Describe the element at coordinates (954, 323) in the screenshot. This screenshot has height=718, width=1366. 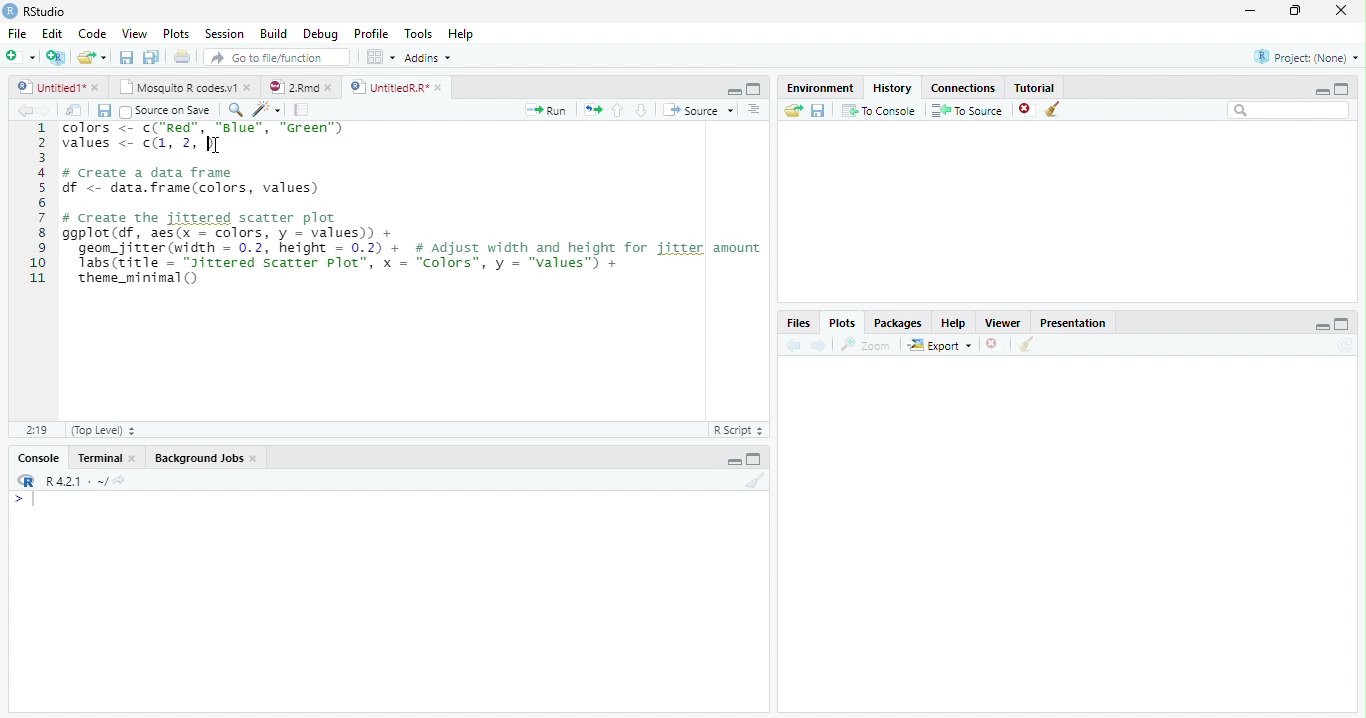
I see `Help` at that location.